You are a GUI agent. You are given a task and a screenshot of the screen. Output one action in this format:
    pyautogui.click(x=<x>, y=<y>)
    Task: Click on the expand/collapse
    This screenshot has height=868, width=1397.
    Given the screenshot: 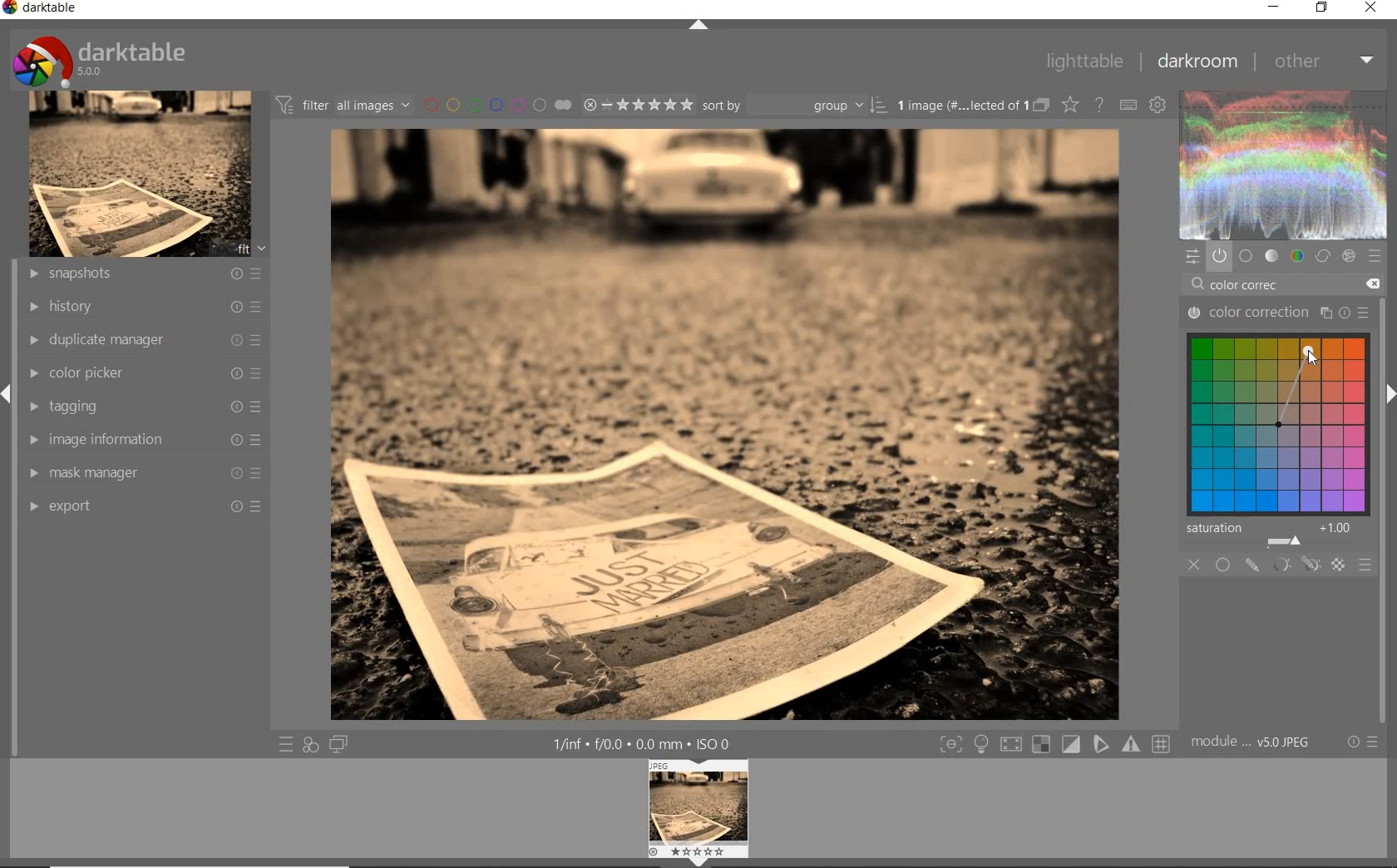 What is the action you would take?
    pyautogui.click(x=1389, y=394)
    